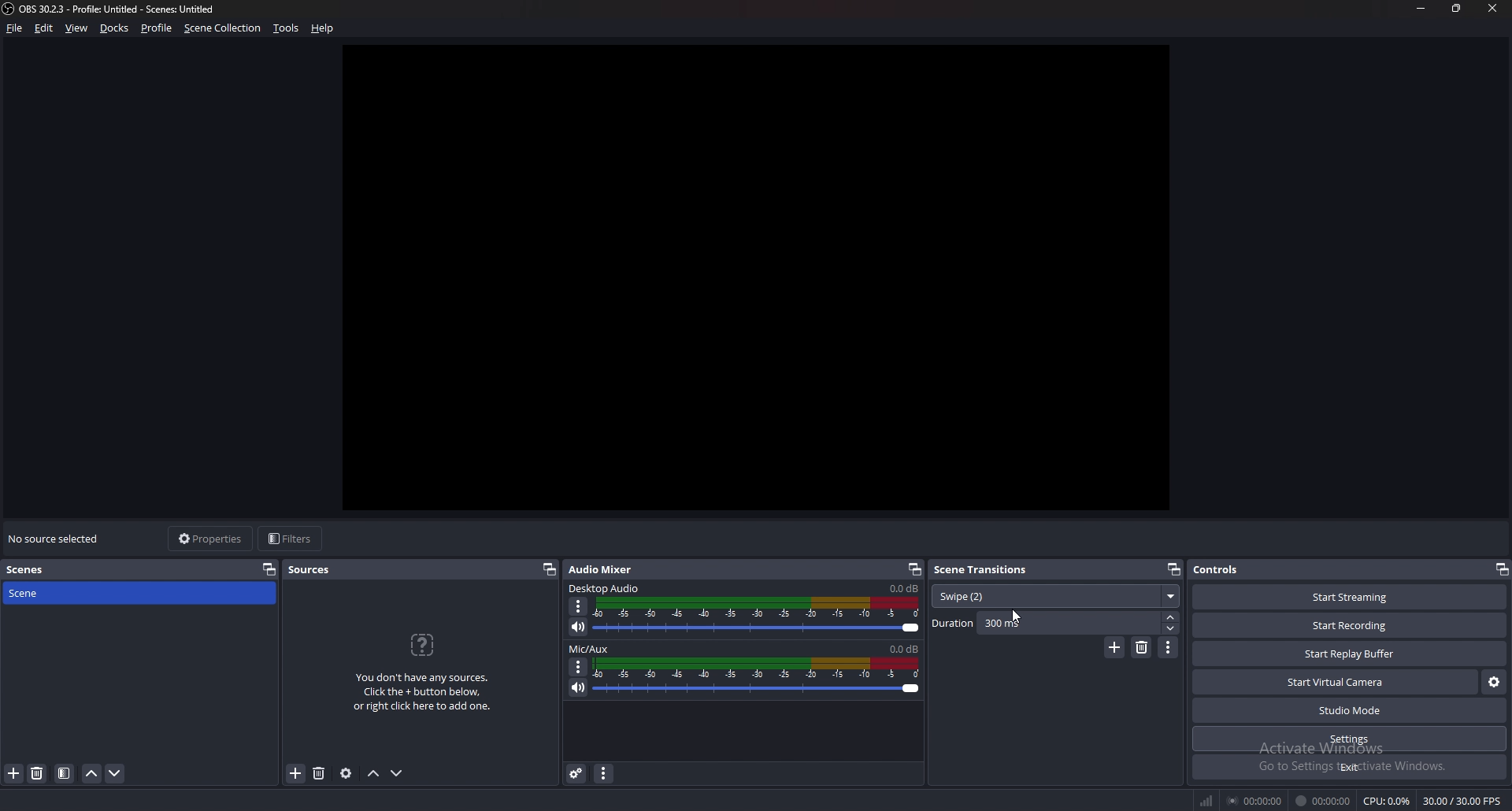 The image size is (1512, 811). I want to click on file, so click(16, 28).